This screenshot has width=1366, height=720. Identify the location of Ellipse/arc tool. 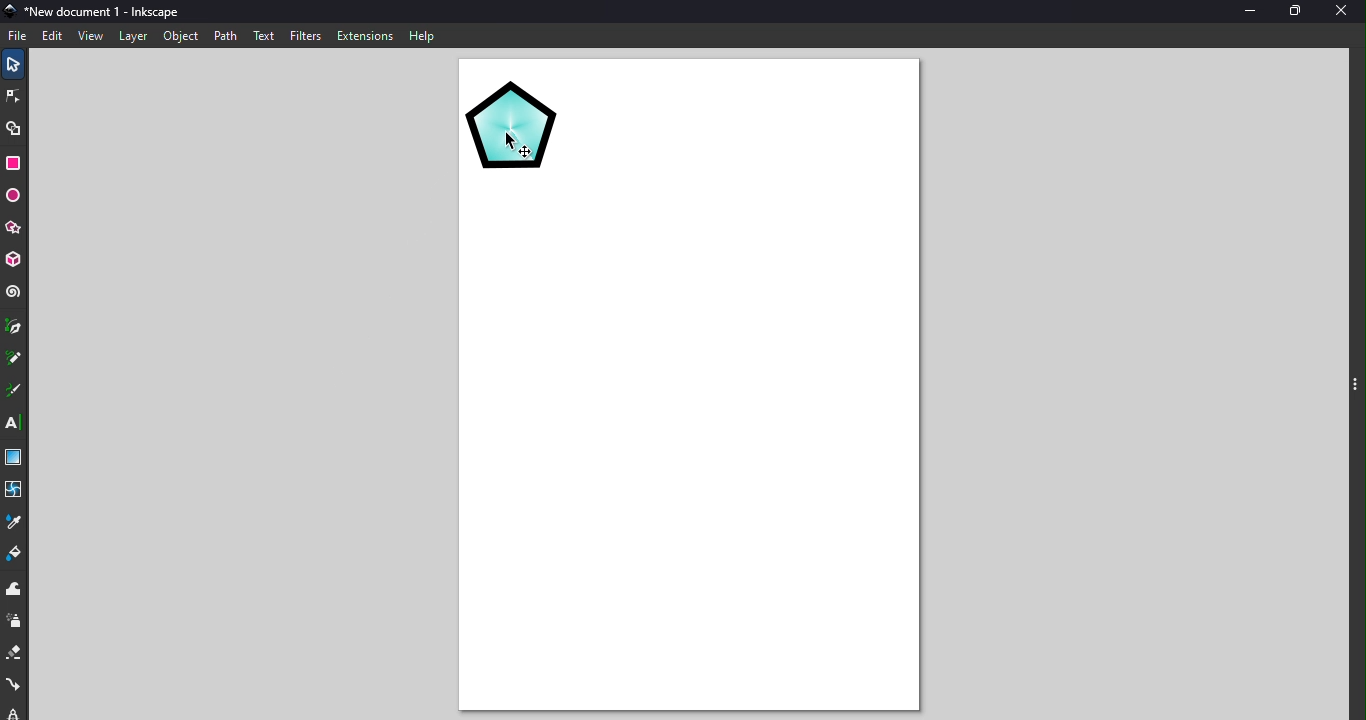
(16, 196).